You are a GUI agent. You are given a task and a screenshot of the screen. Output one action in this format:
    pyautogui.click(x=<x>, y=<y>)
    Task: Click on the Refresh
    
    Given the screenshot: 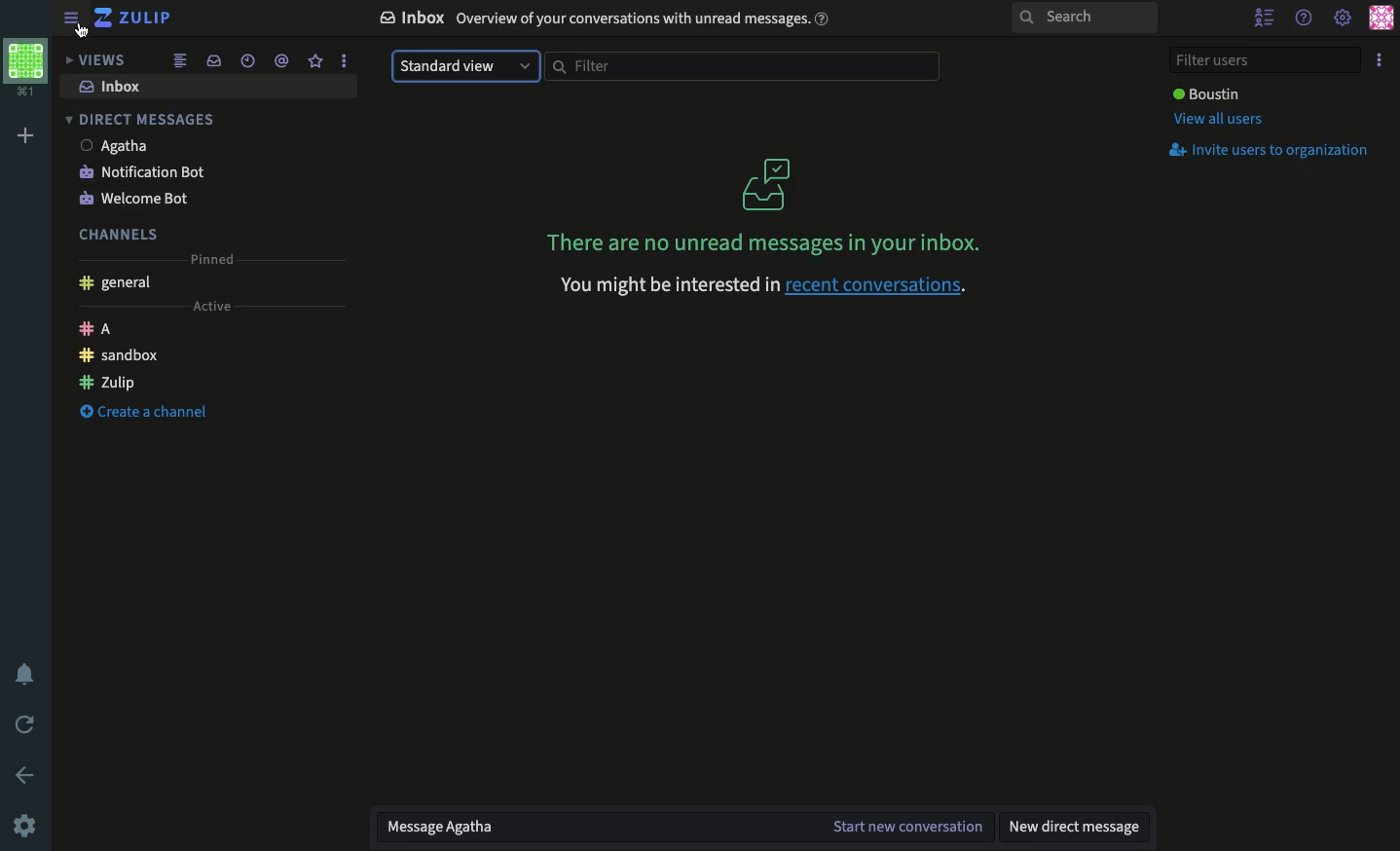 What is the action you would take?
    pyautogui.click(x=22, y=726)
    